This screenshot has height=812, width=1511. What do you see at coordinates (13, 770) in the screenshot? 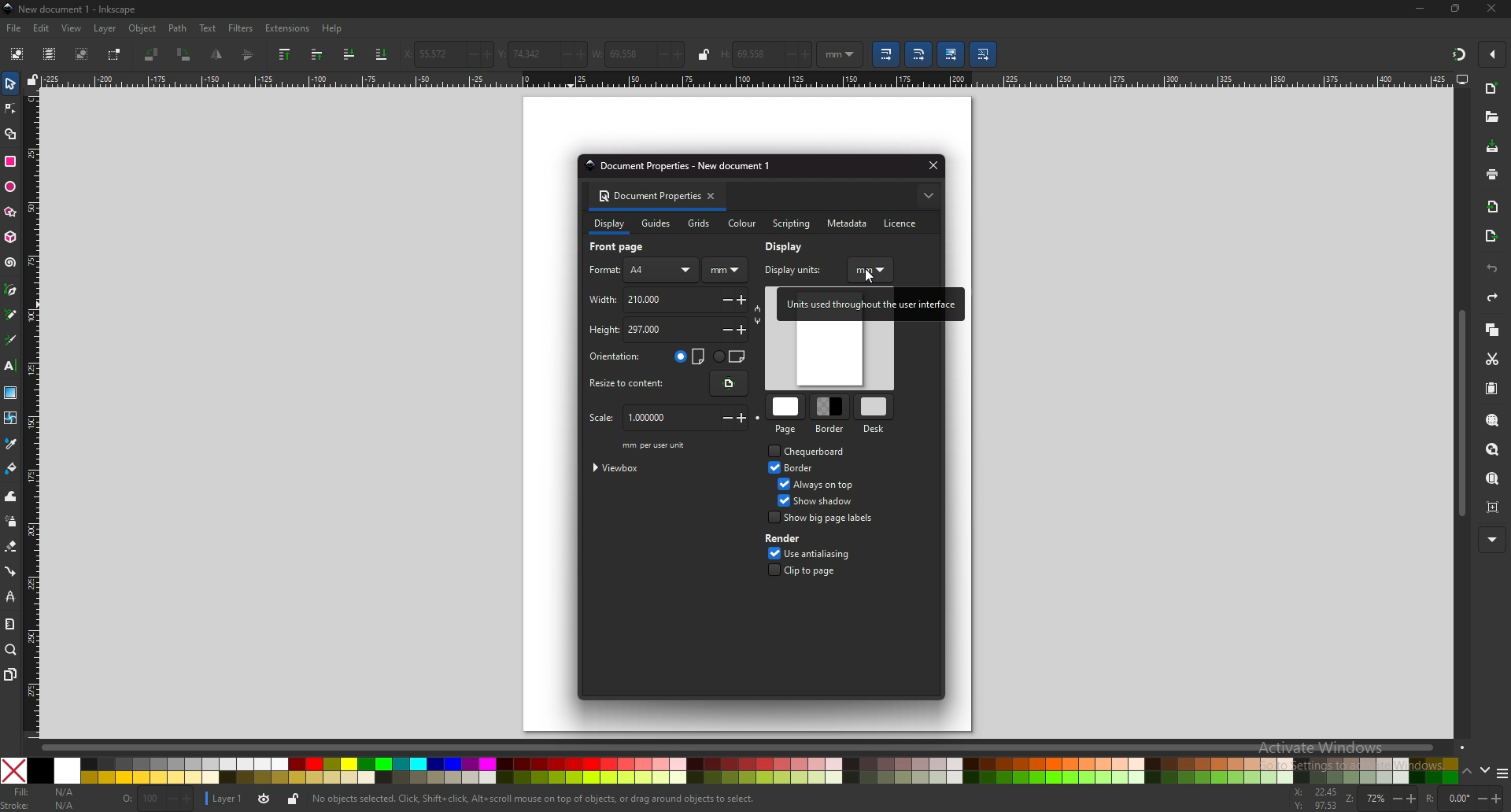
I see `Close` at bounding box center [13, 770].